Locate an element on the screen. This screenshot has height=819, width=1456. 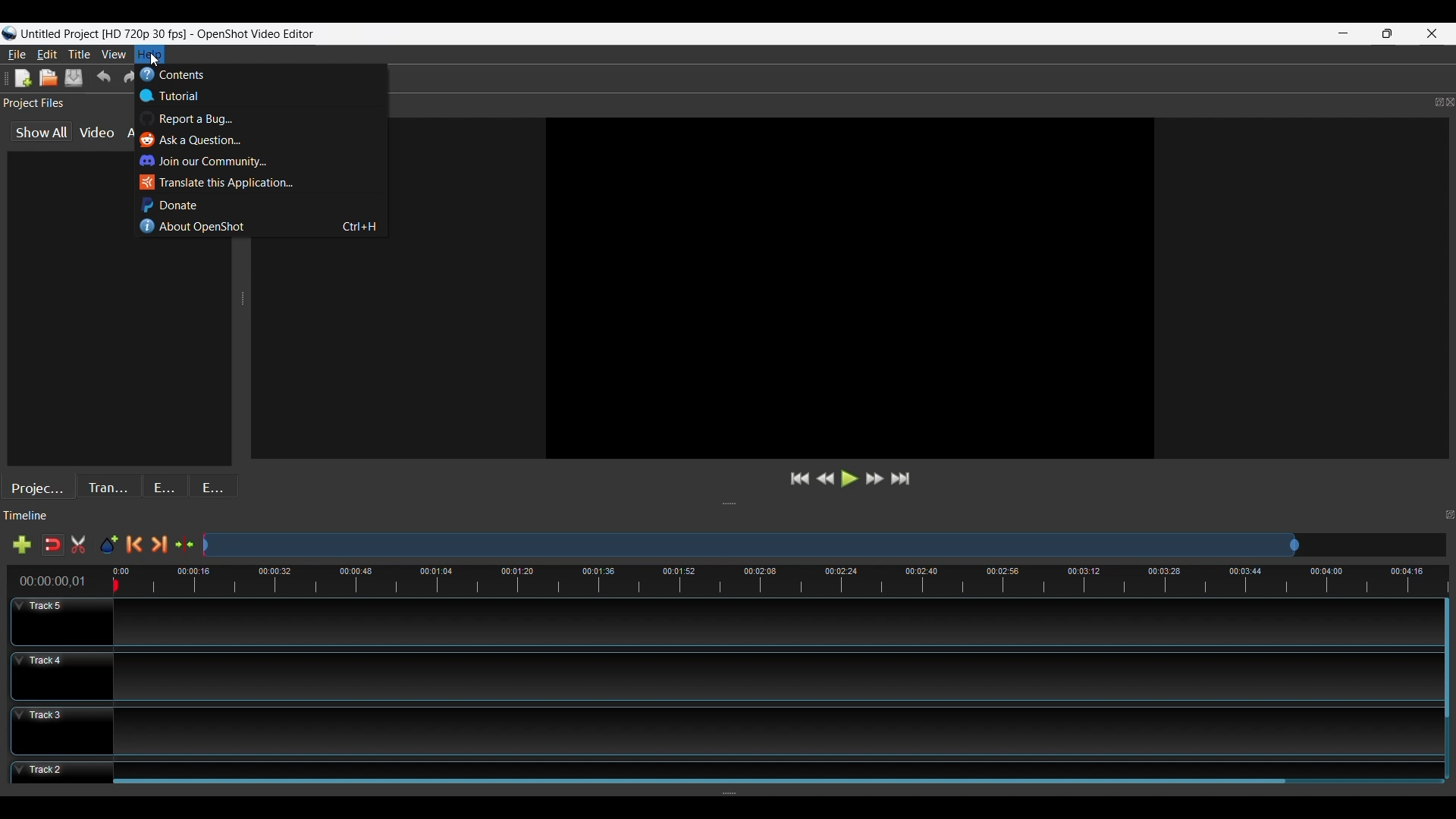
Track Panel is located at coordinates (770, 678).